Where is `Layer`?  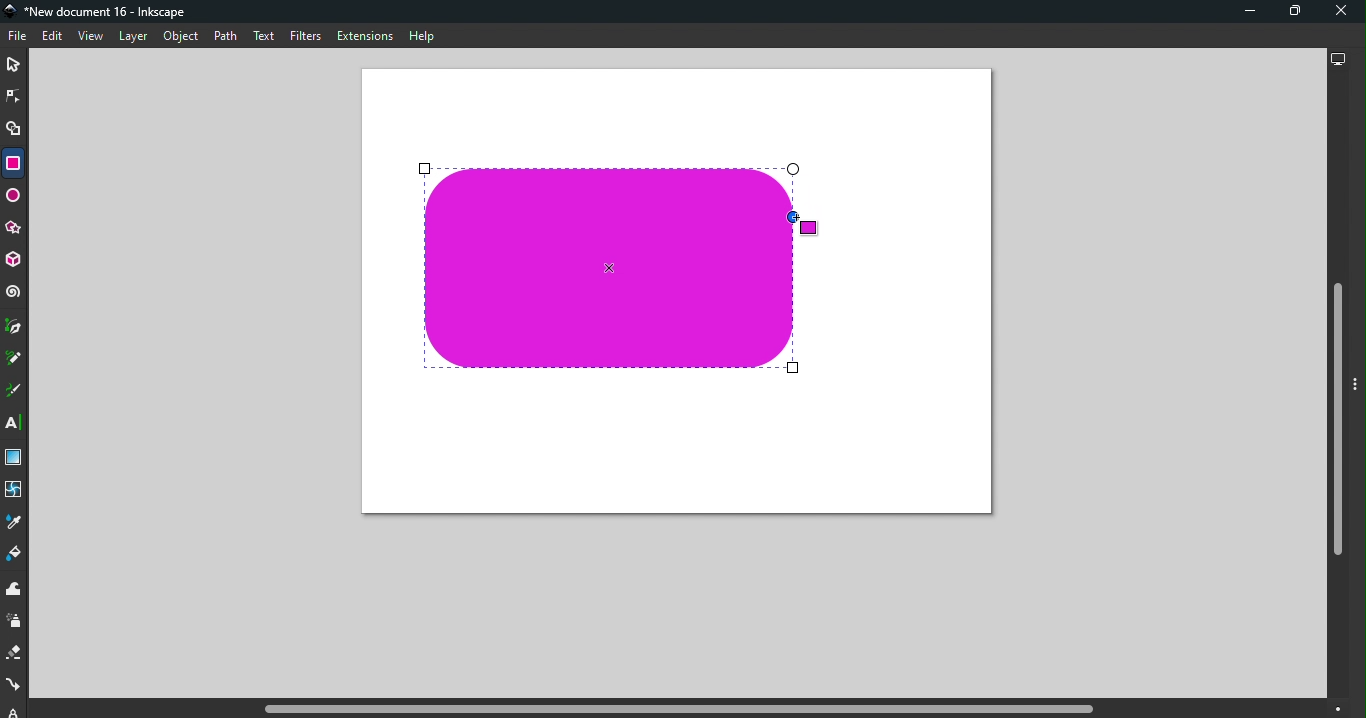 Layer is located at coordinates (133, 38).